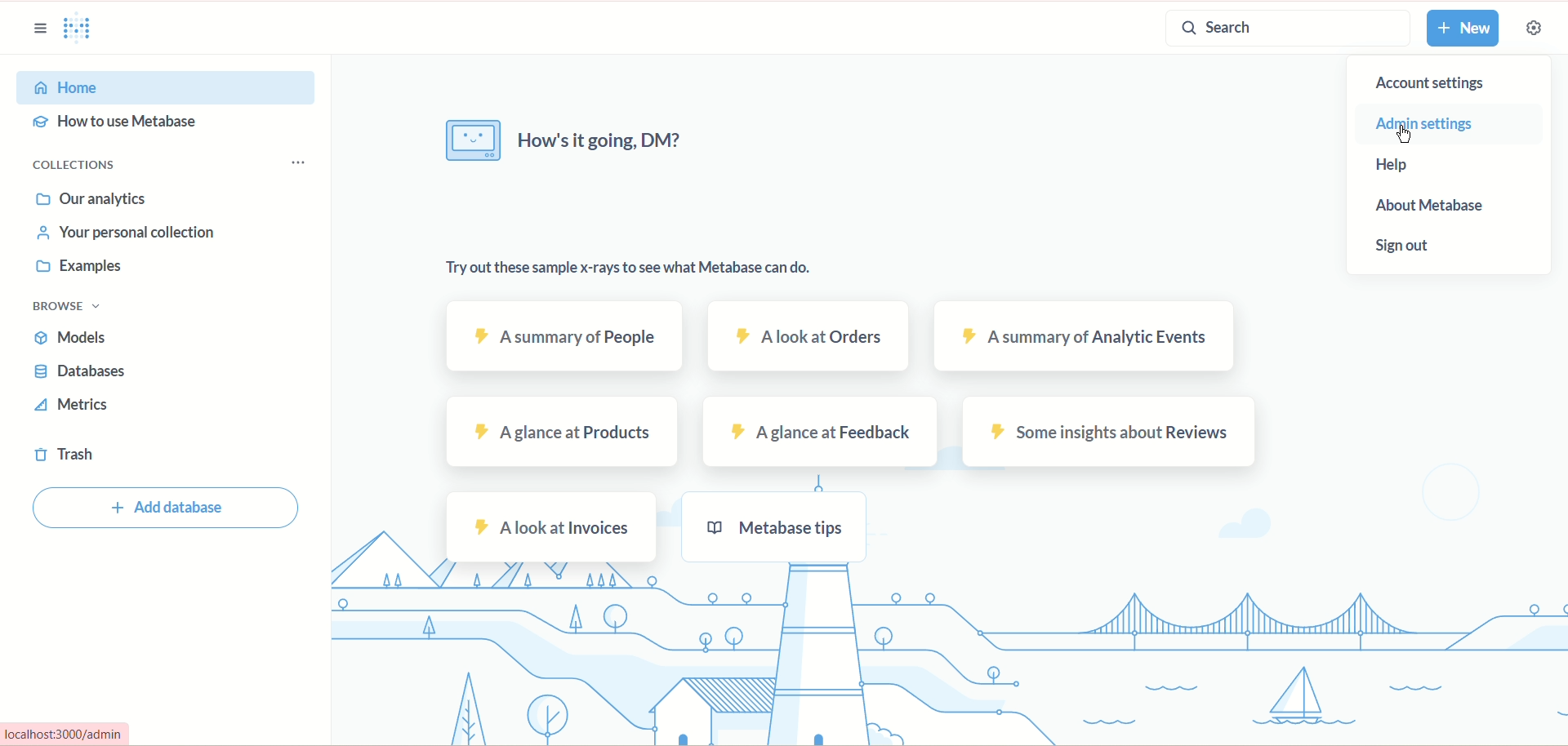 Image resolution: width=1568 pixels, height=746 pixels. Describe the element at coordinates (78, 372) in the screenshot. I see `databases` at that location.